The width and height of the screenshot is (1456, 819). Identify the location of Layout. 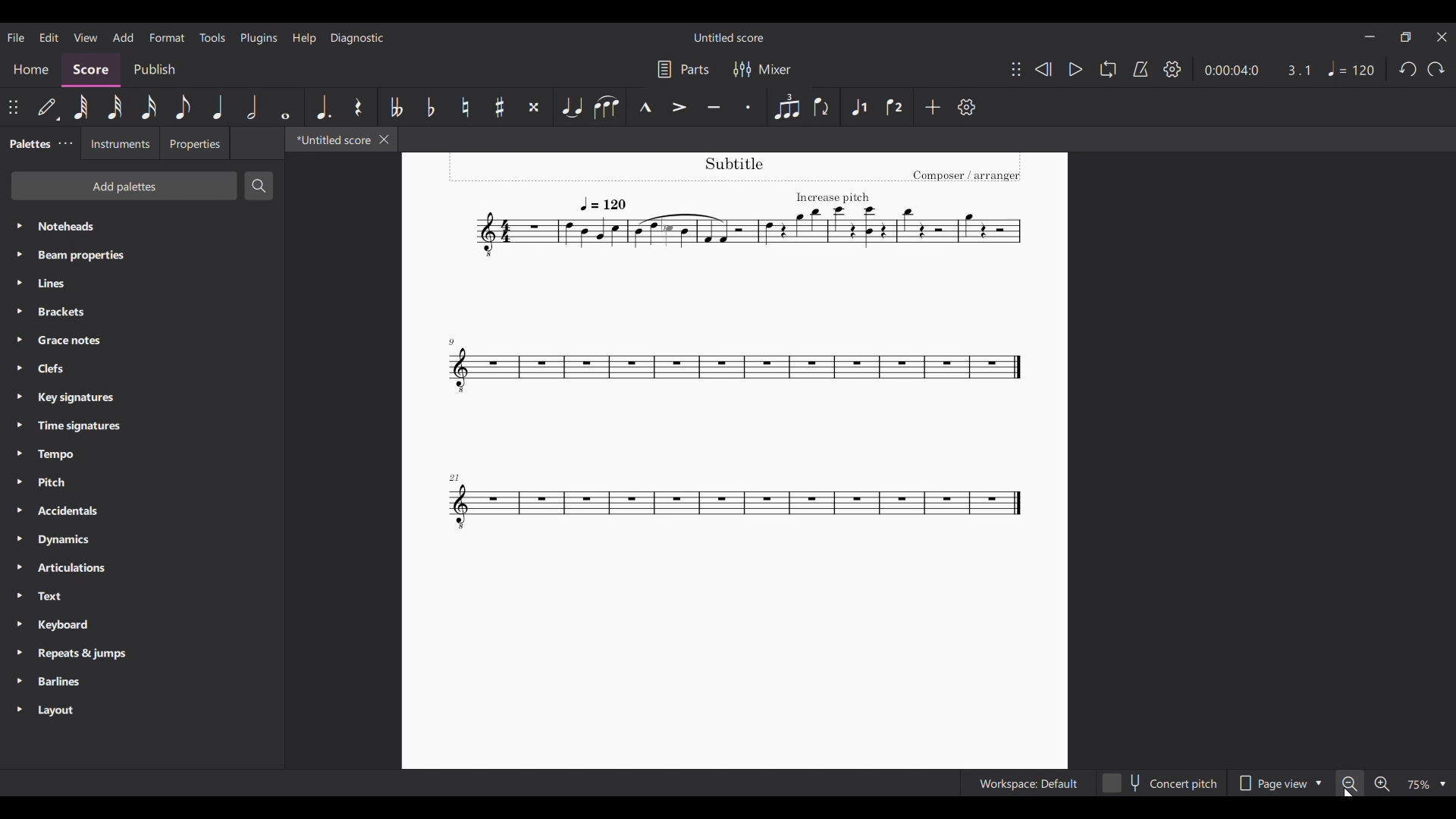
(142, 710).